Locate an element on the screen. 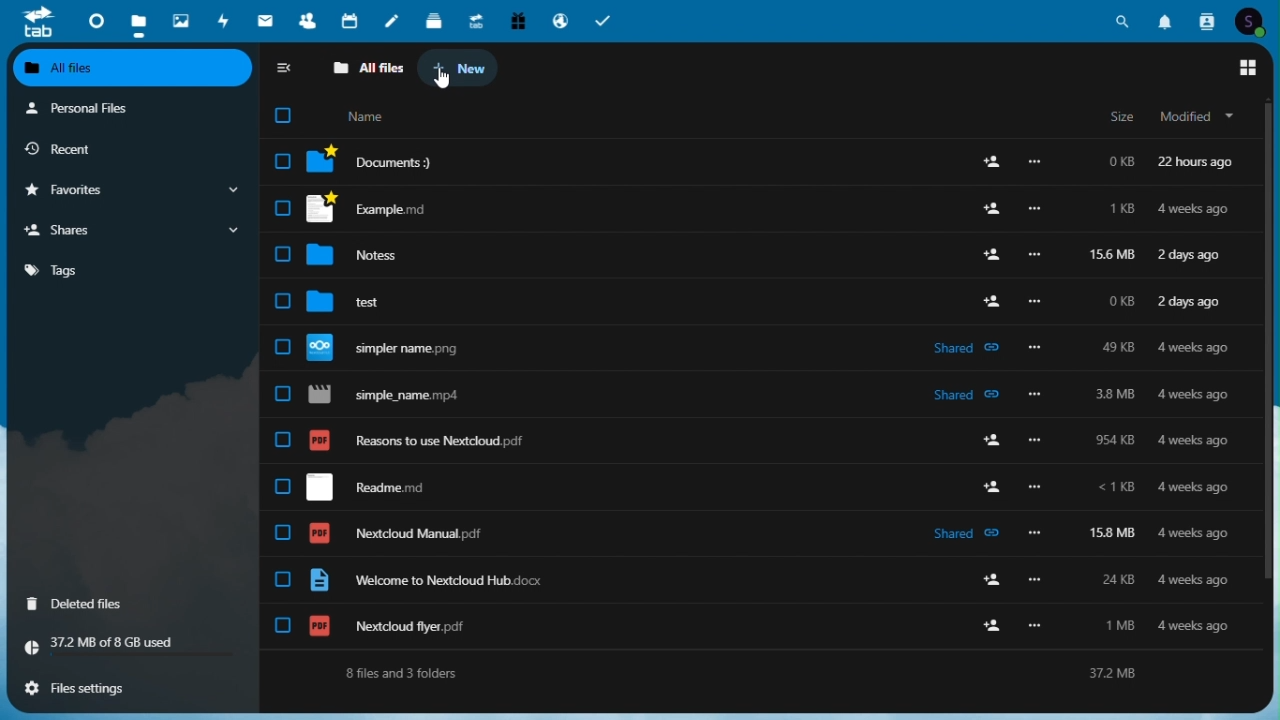 Image resolution: width=1280 pixels, height=720 pixels. Mail is located at coordinates (264, 20).